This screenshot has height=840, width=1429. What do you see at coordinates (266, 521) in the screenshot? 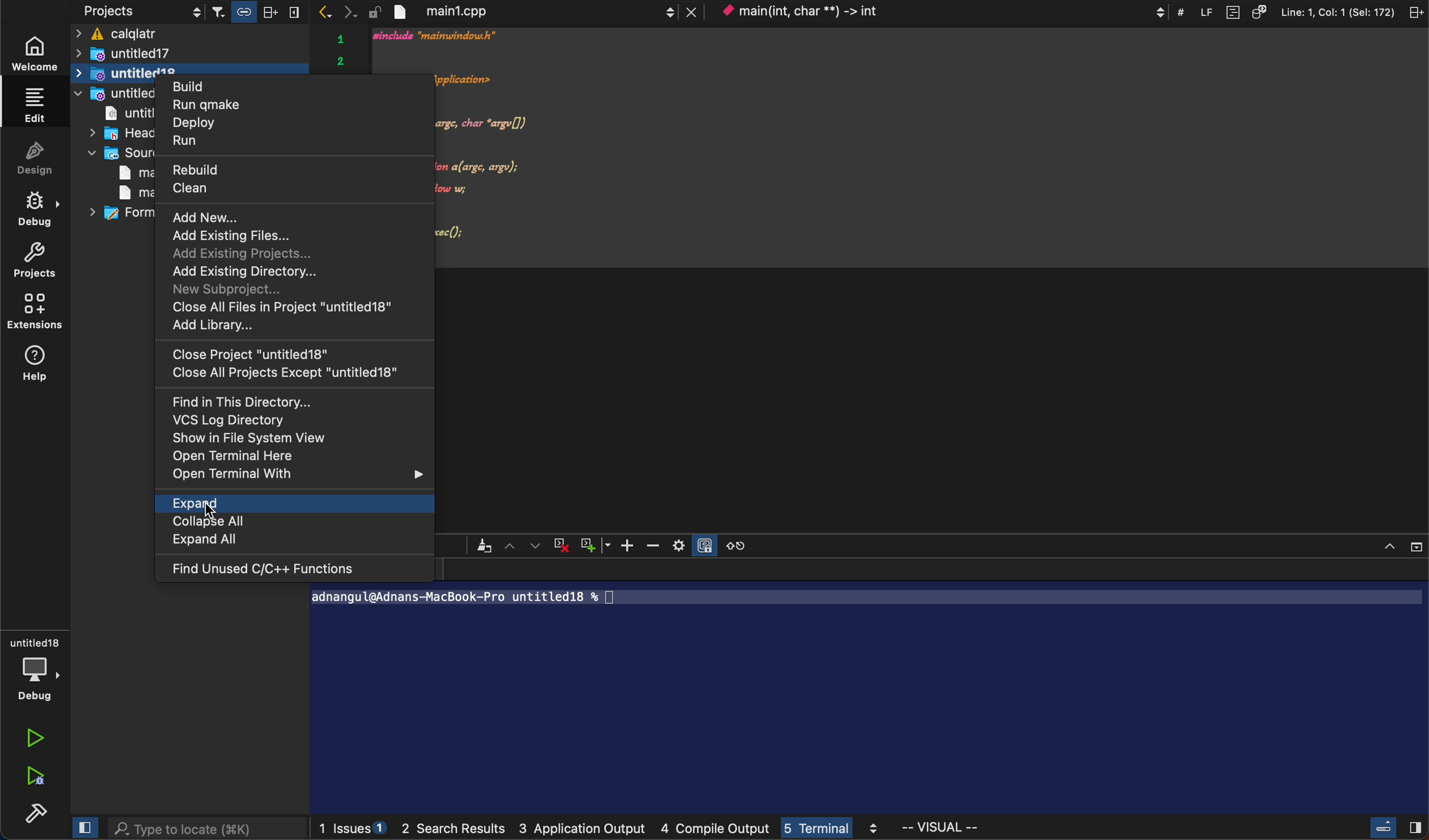
I see `collapse all` at bounding box center [266, 521].